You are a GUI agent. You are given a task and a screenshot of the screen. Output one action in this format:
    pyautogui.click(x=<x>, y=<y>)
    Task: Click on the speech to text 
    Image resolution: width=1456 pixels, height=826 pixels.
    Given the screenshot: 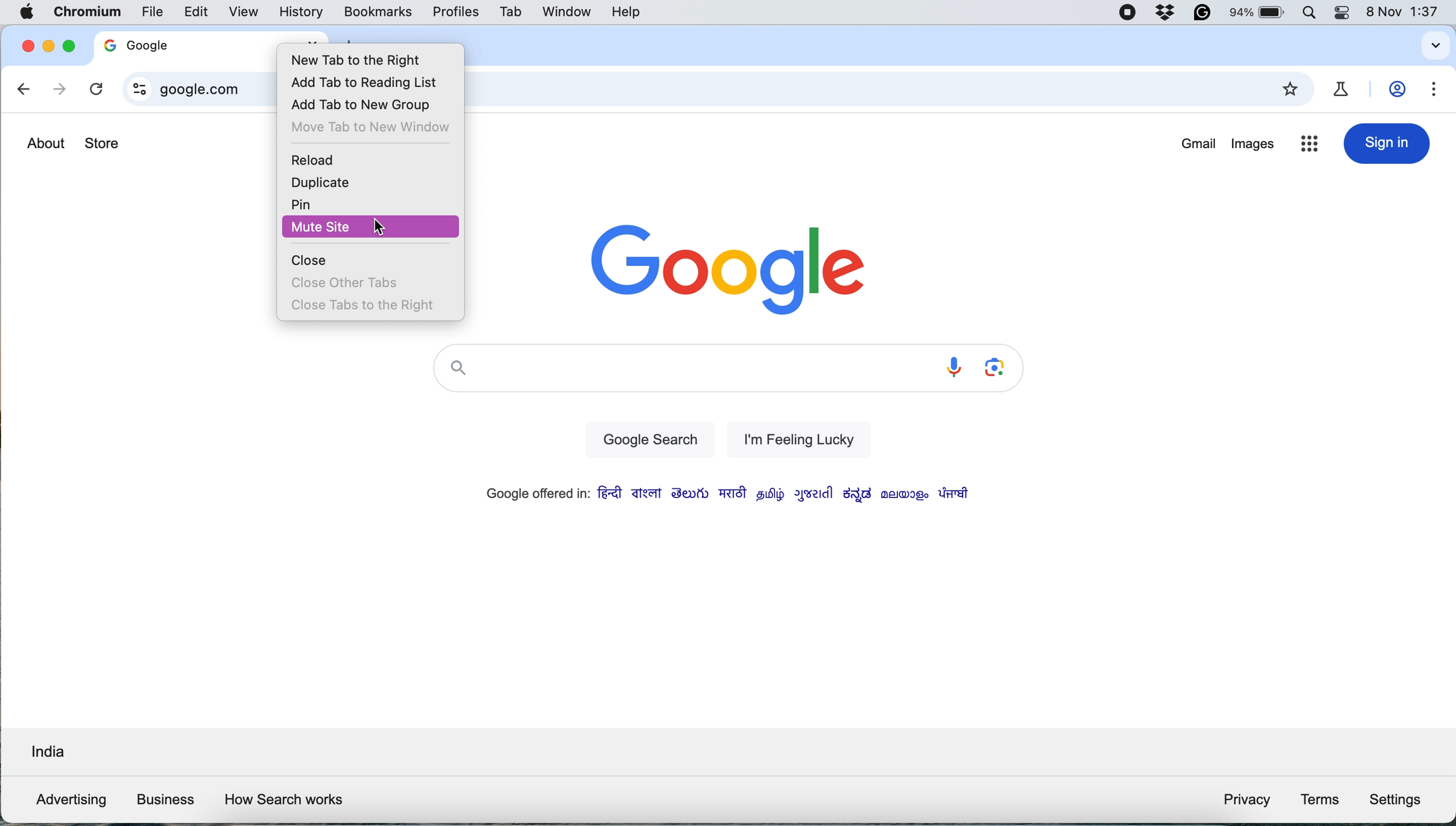 What is the action you would take?
    pyautogui.click(x=952, y=367)
    